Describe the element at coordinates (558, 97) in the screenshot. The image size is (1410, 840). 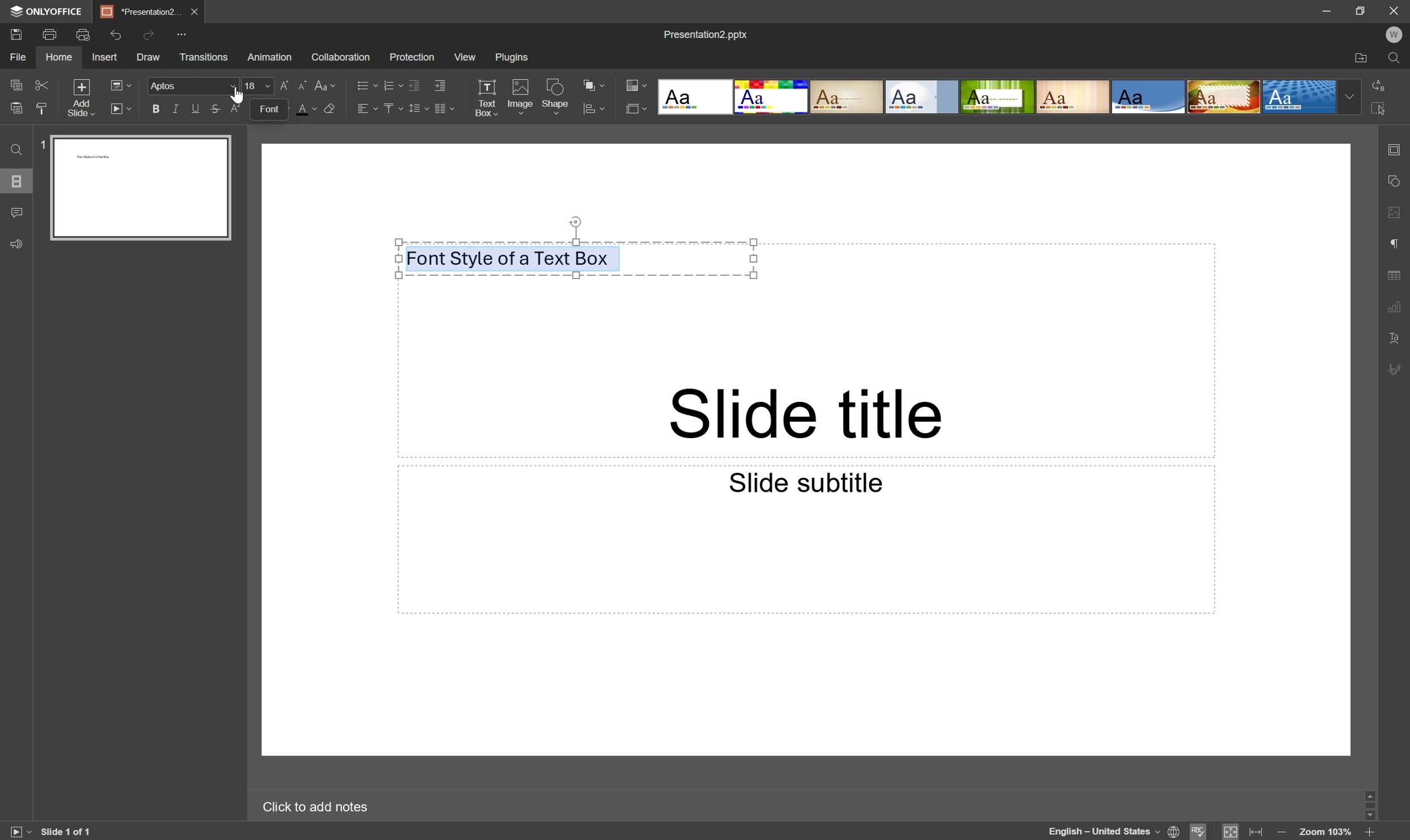
I see `Shape` at that location.